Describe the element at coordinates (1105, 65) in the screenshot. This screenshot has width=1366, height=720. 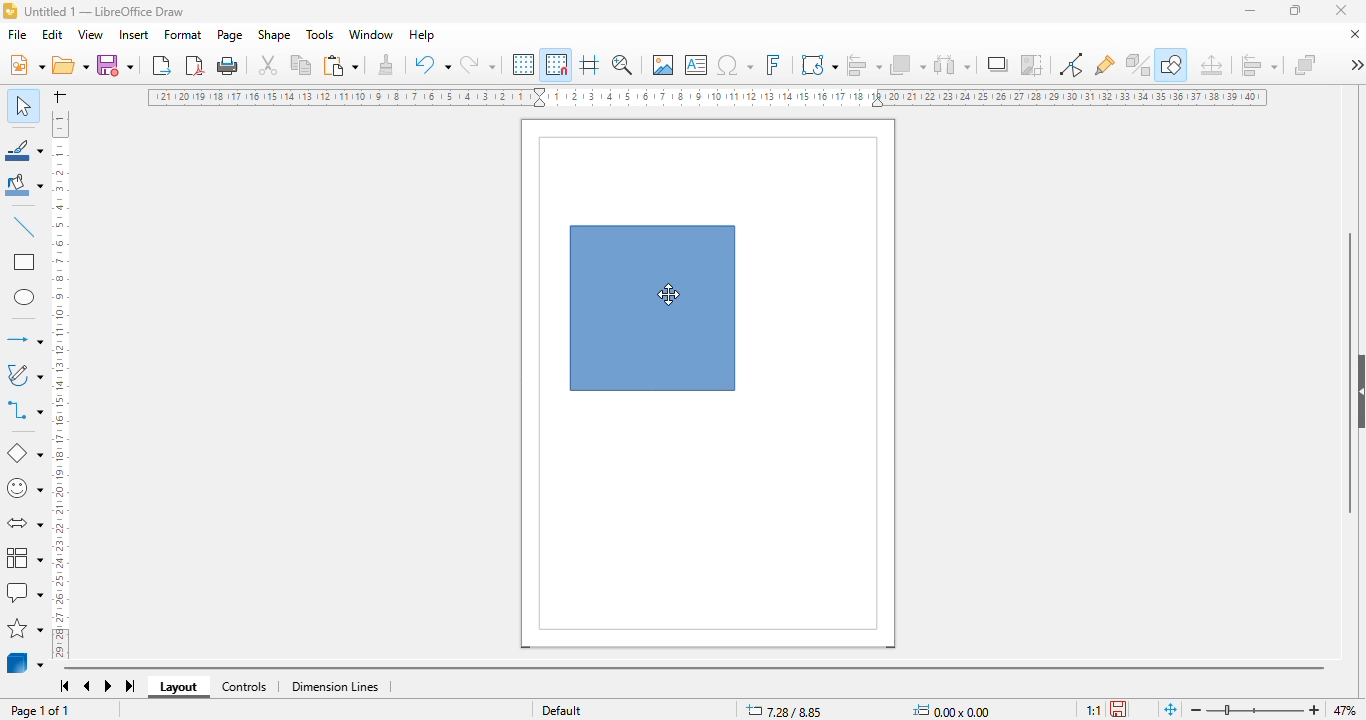
I see `show gluepoint functions` at that location.